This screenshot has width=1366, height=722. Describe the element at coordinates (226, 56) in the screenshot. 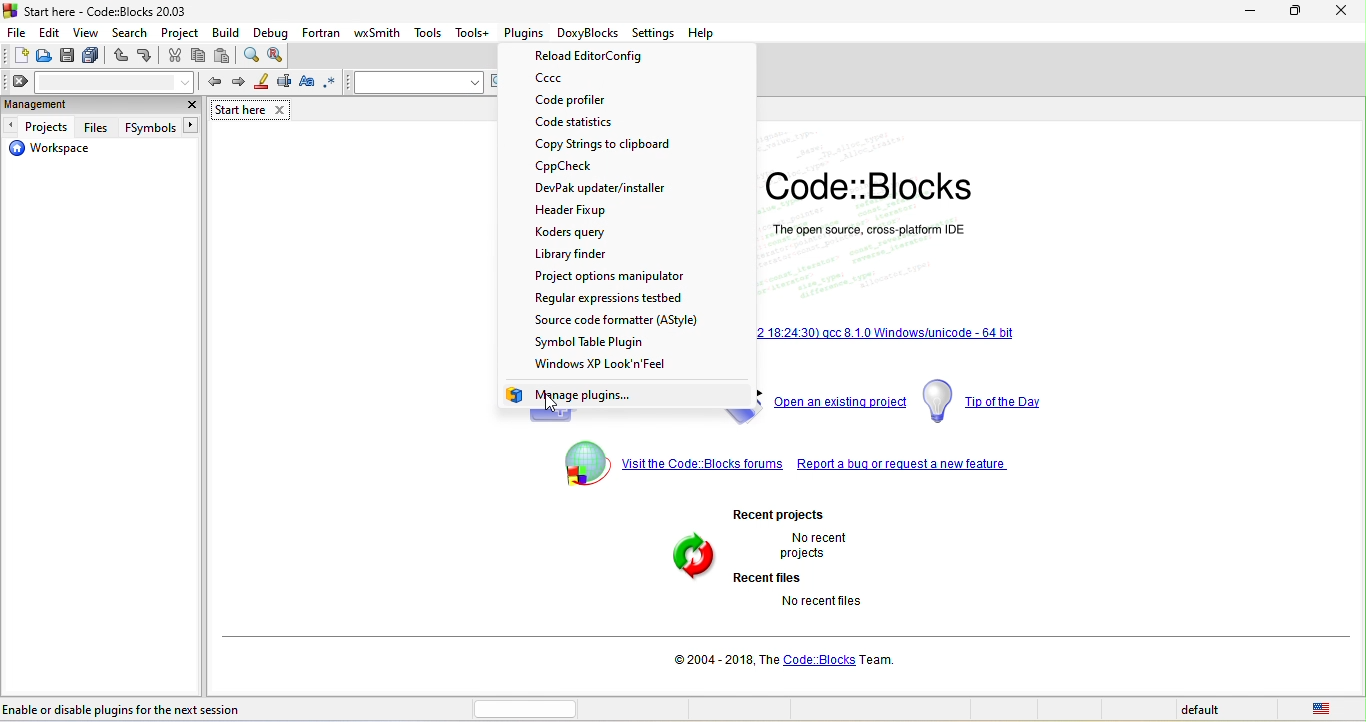

I see `paste` at that location.